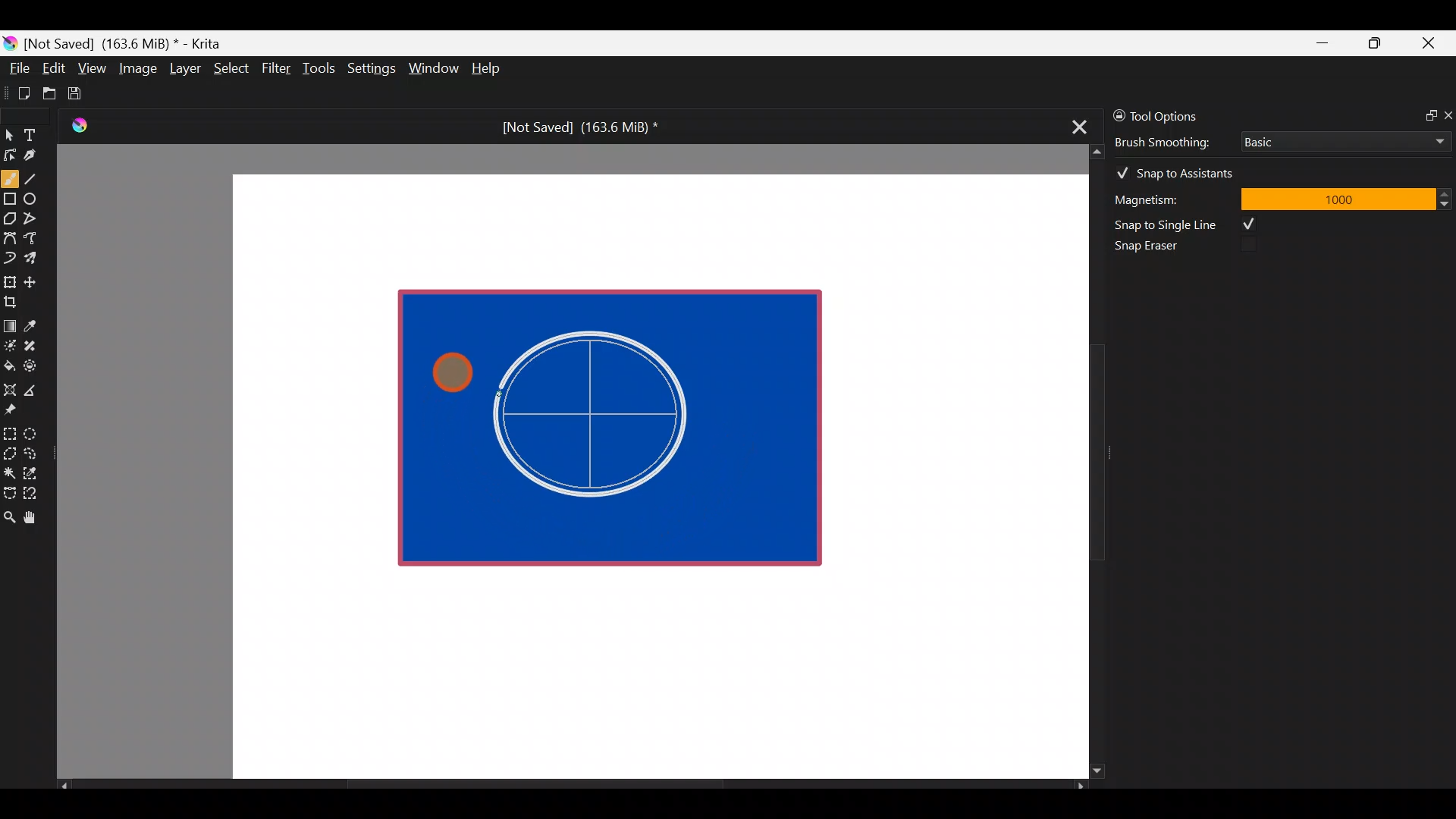  What do you see at coordinates (1447, 193) in the screenshot?
I see `Increase` at bounding box center [1447, 193].